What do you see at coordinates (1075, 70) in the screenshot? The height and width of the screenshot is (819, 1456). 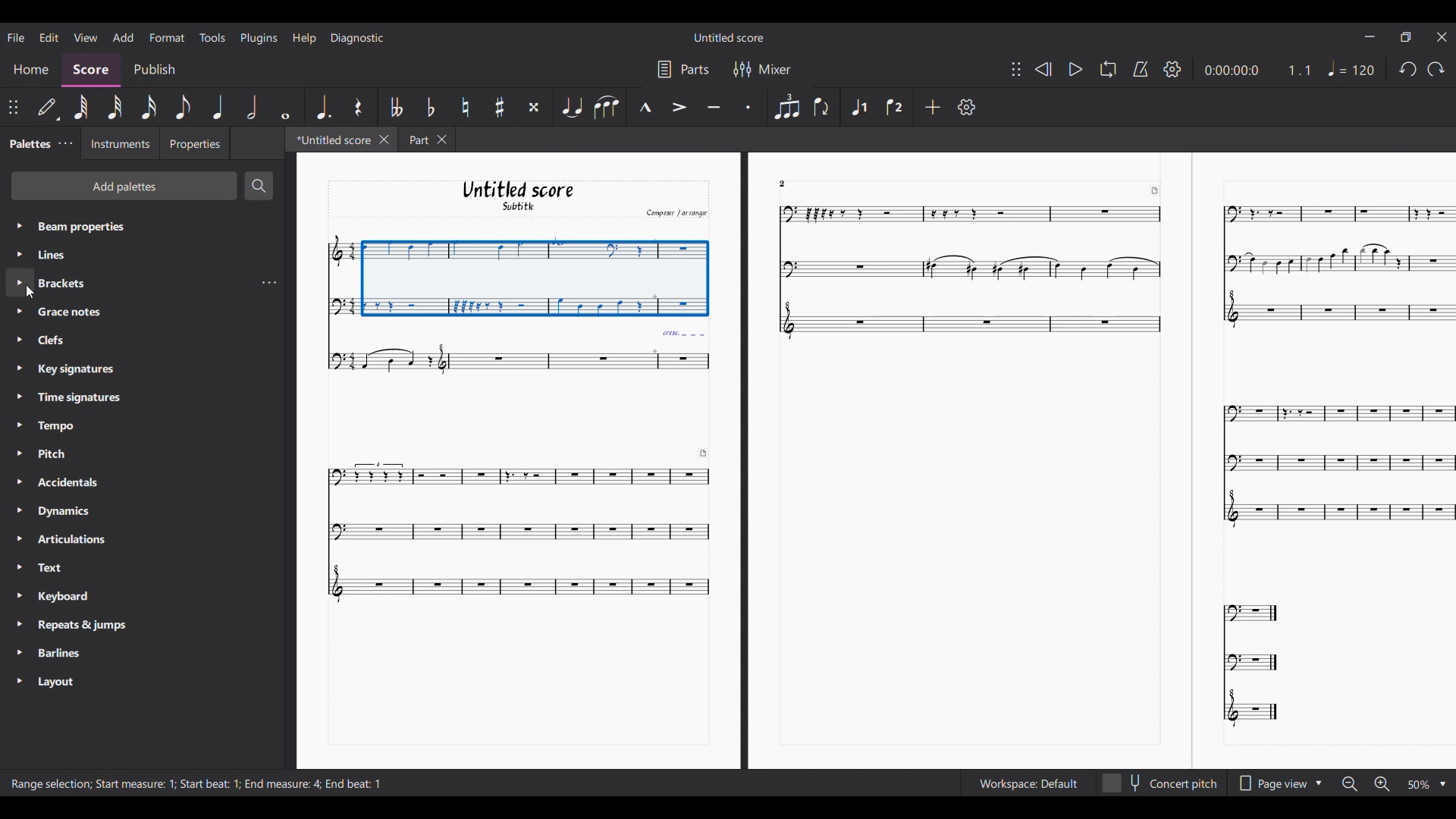 I see `Play` at bounding box center [1075, 70].